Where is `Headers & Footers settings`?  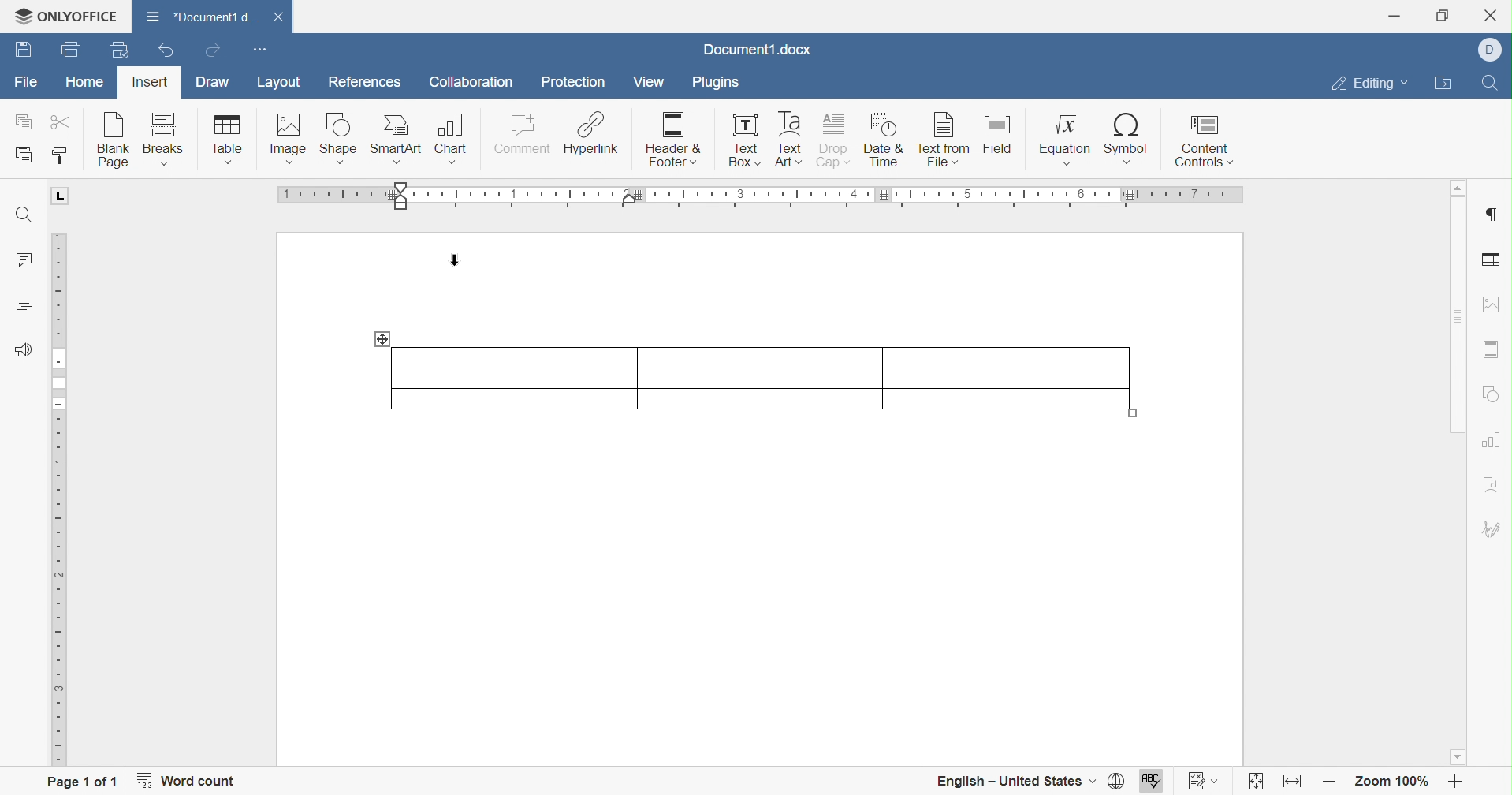 Headers & Footers settings is located at coordinates (1491, 352).